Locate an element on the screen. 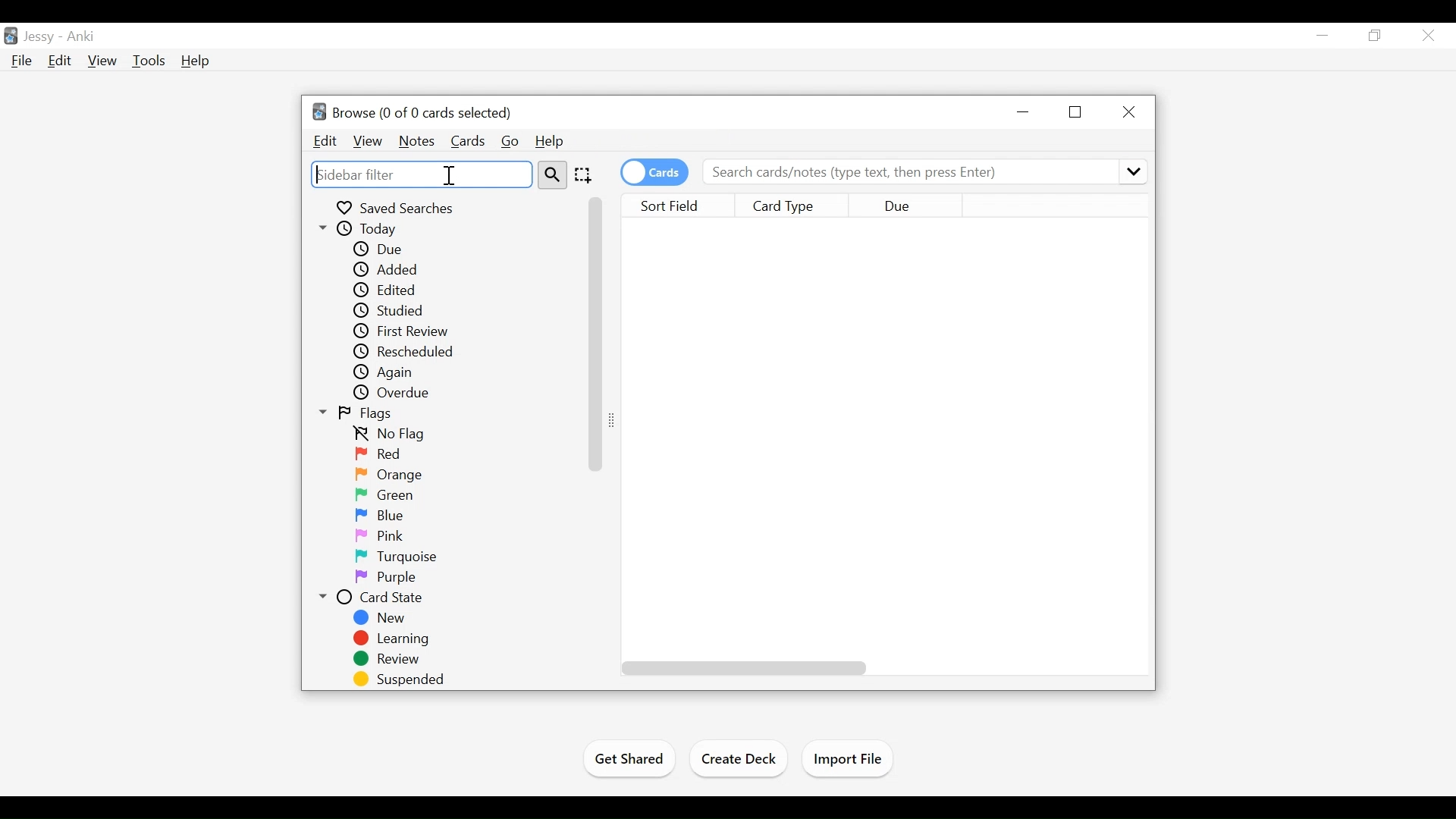  Create Deck is located at coordinates (741, 758).